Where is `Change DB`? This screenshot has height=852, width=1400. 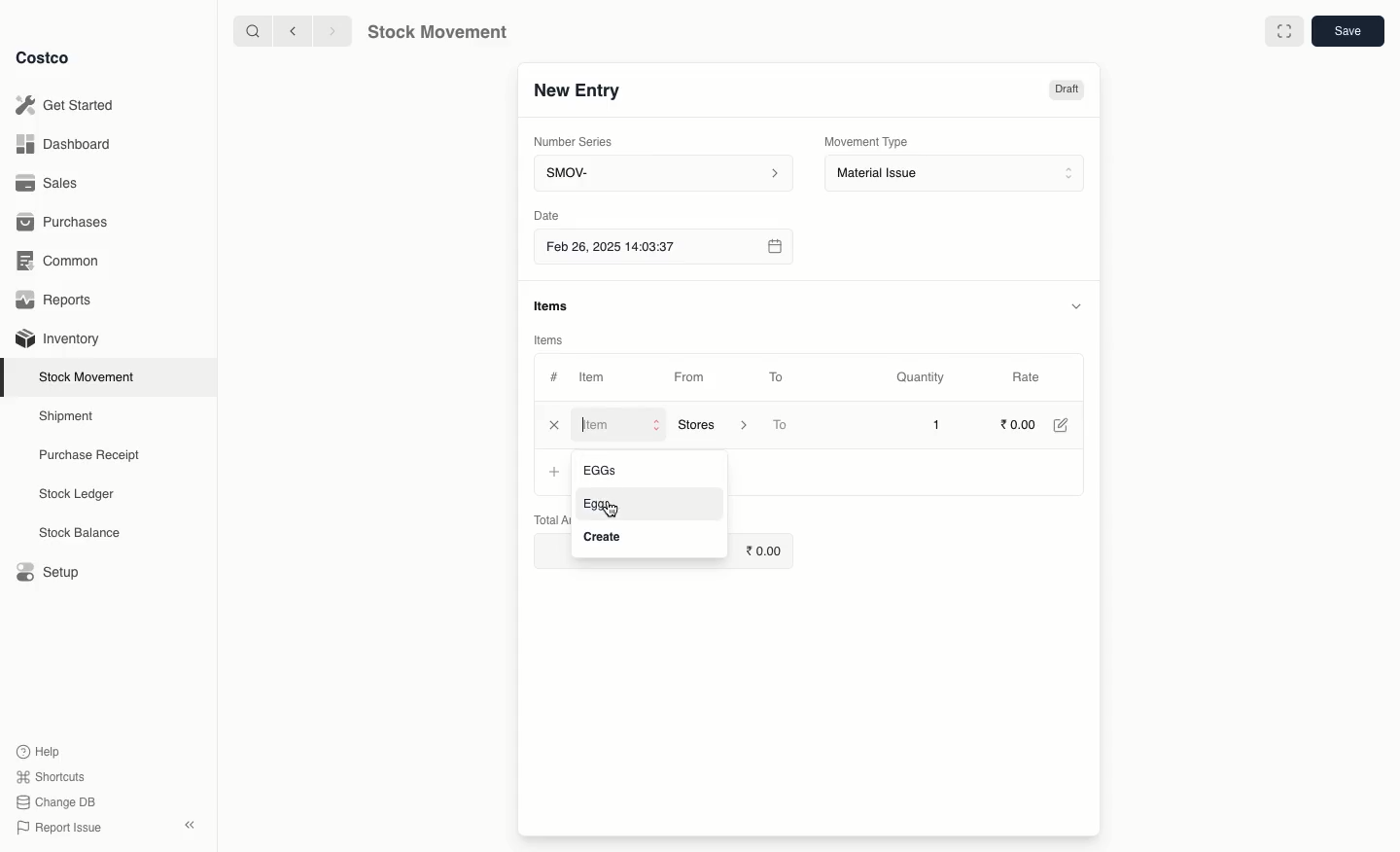
Change DB is located at coordinates (56, 802).